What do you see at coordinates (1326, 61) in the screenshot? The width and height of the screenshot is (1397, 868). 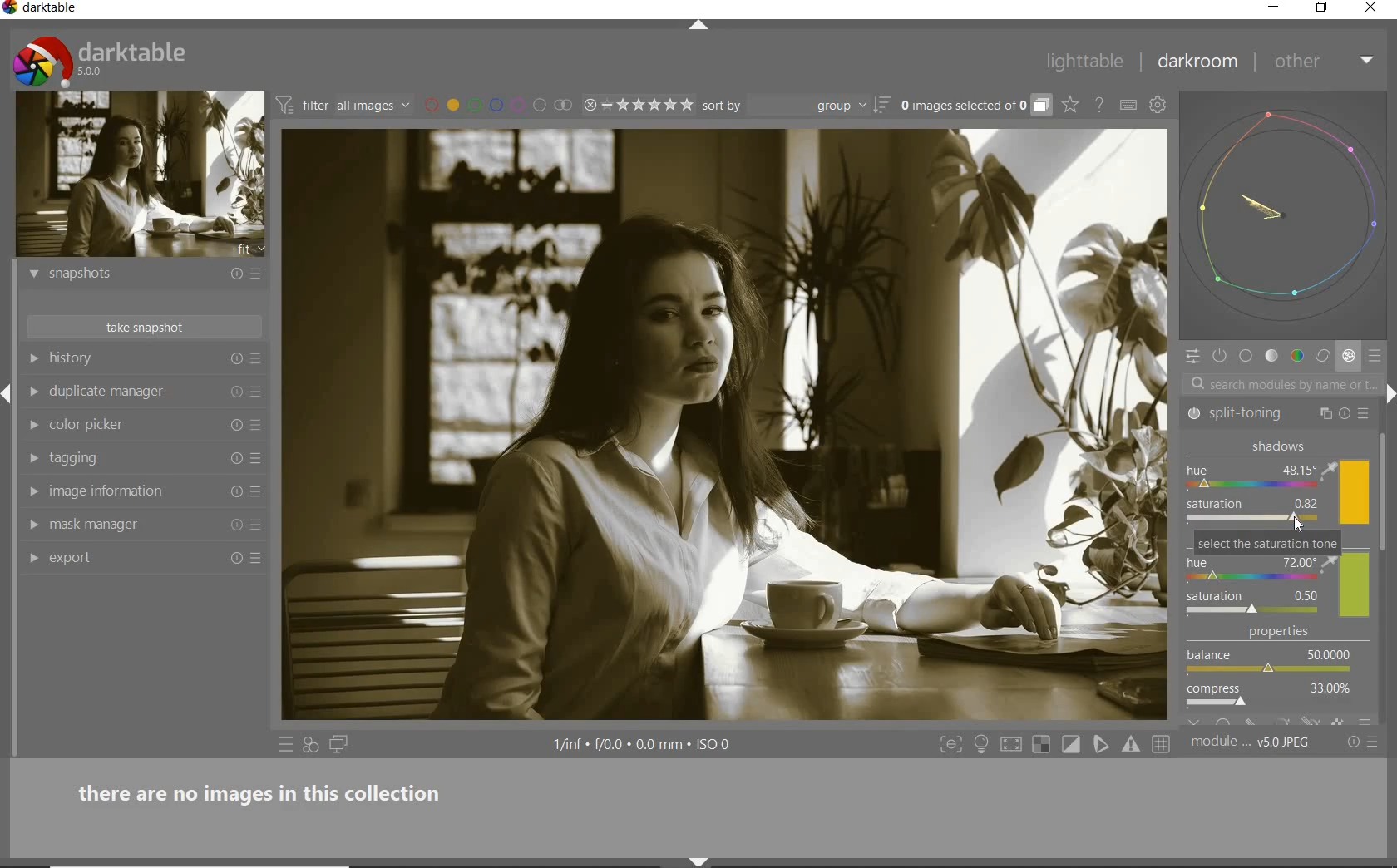 I see `other` at bounding box center [1326, 61].